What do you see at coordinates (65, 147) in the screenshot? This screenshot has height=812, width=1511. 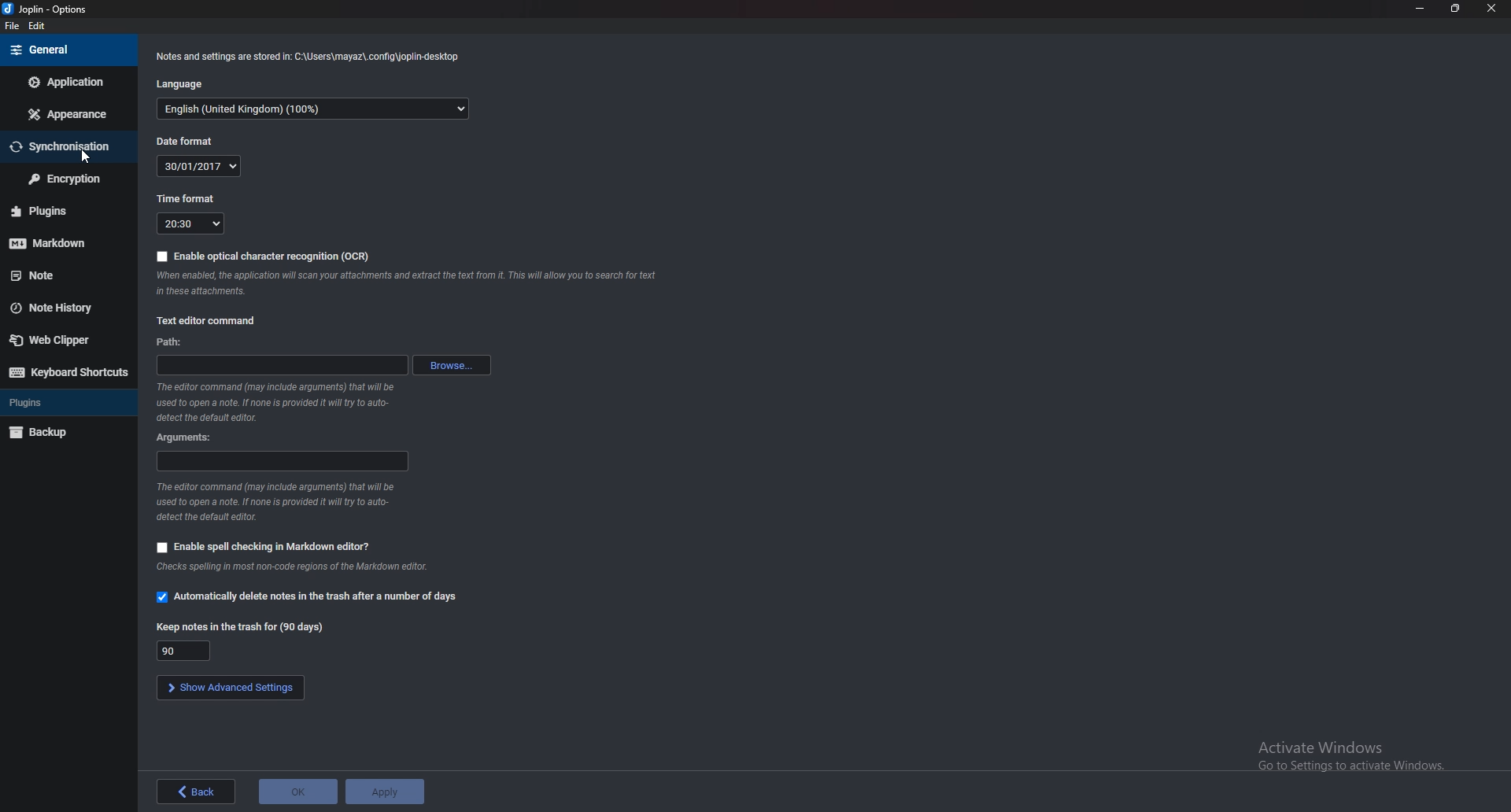 I see `synchronisation` at bounding box center [65, 147].